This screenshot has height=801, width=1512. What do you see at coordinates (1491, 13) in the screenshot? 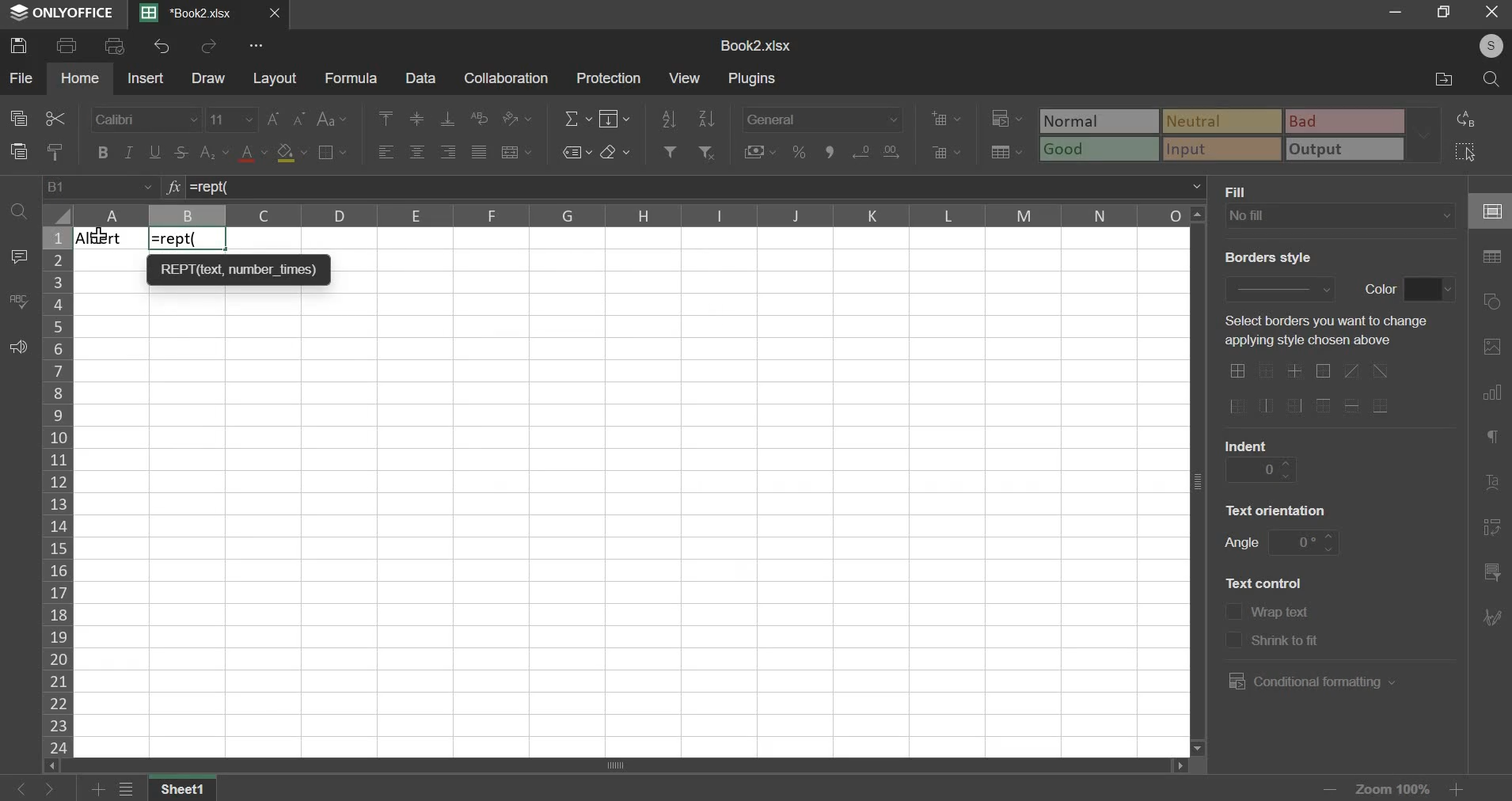
I see `close` at bounding box center [1491, 13].